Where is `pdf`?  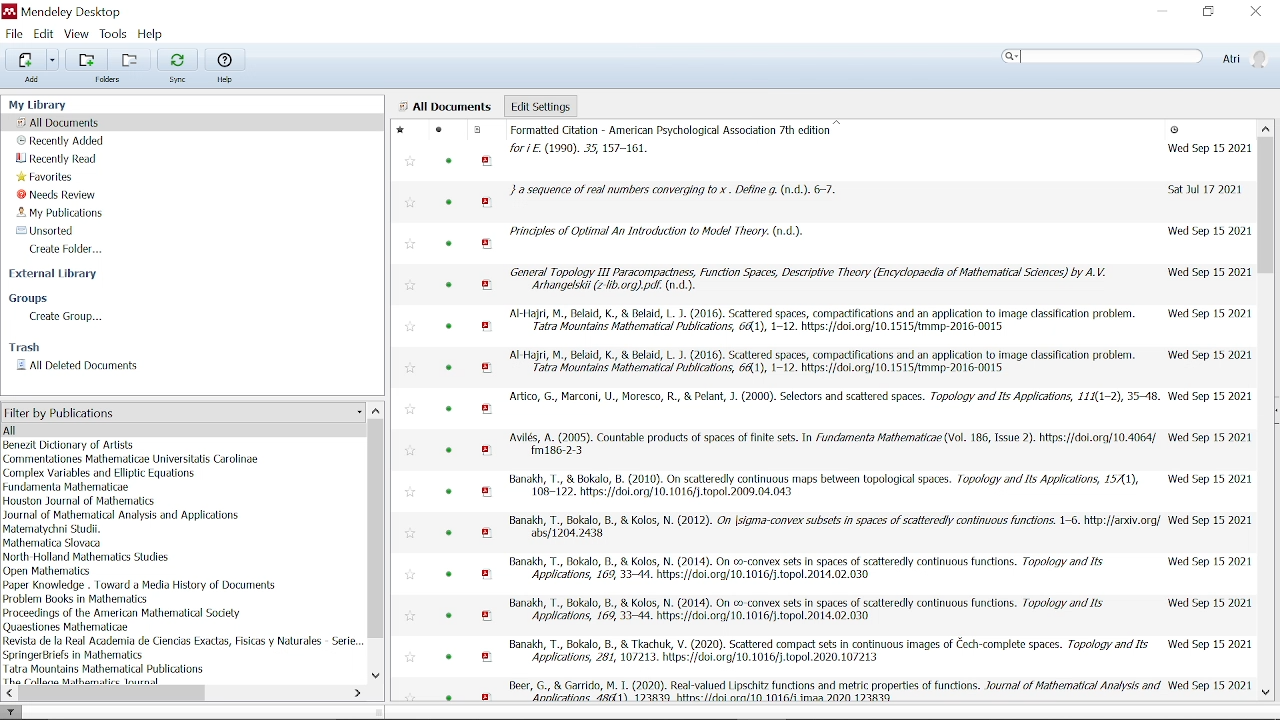
pdf is located at coordinates (489, 656).